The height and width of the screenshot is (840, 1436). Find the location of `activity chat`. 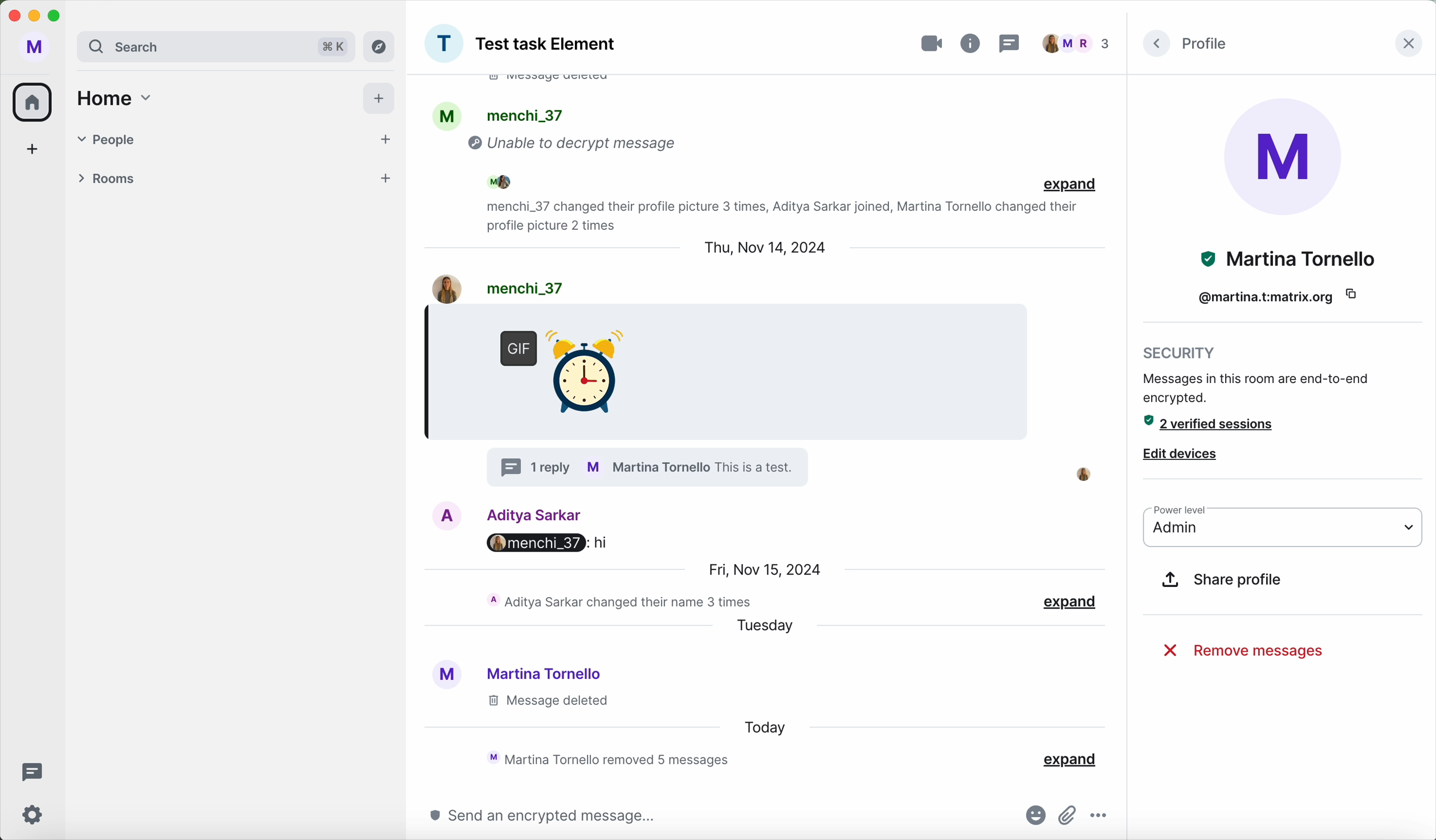

activity chat is located at coordinates (776, 215).